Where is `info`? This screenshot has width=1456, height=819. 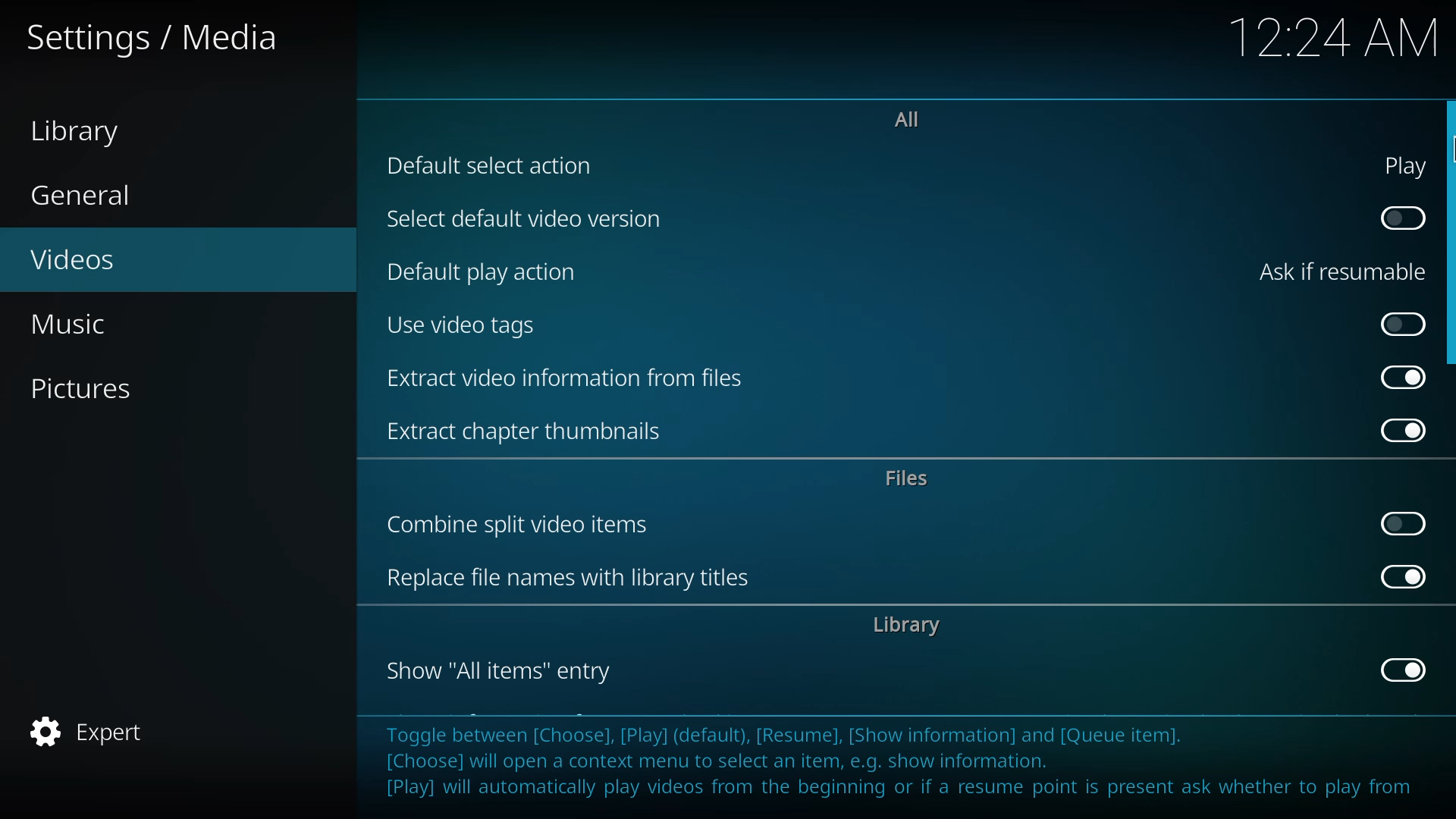
info is located at coordinates (902, 764).